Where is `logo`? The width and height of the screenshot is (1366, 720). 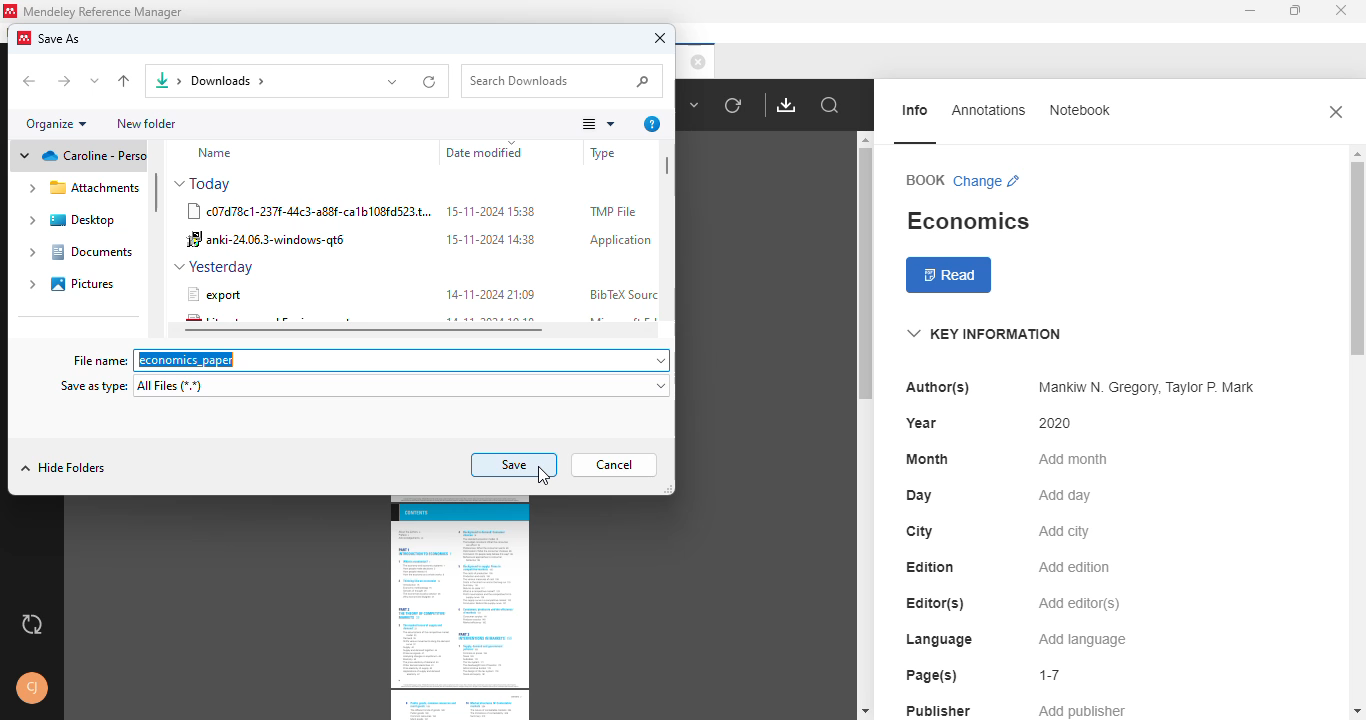 logo is located at coordinates (11, 10).